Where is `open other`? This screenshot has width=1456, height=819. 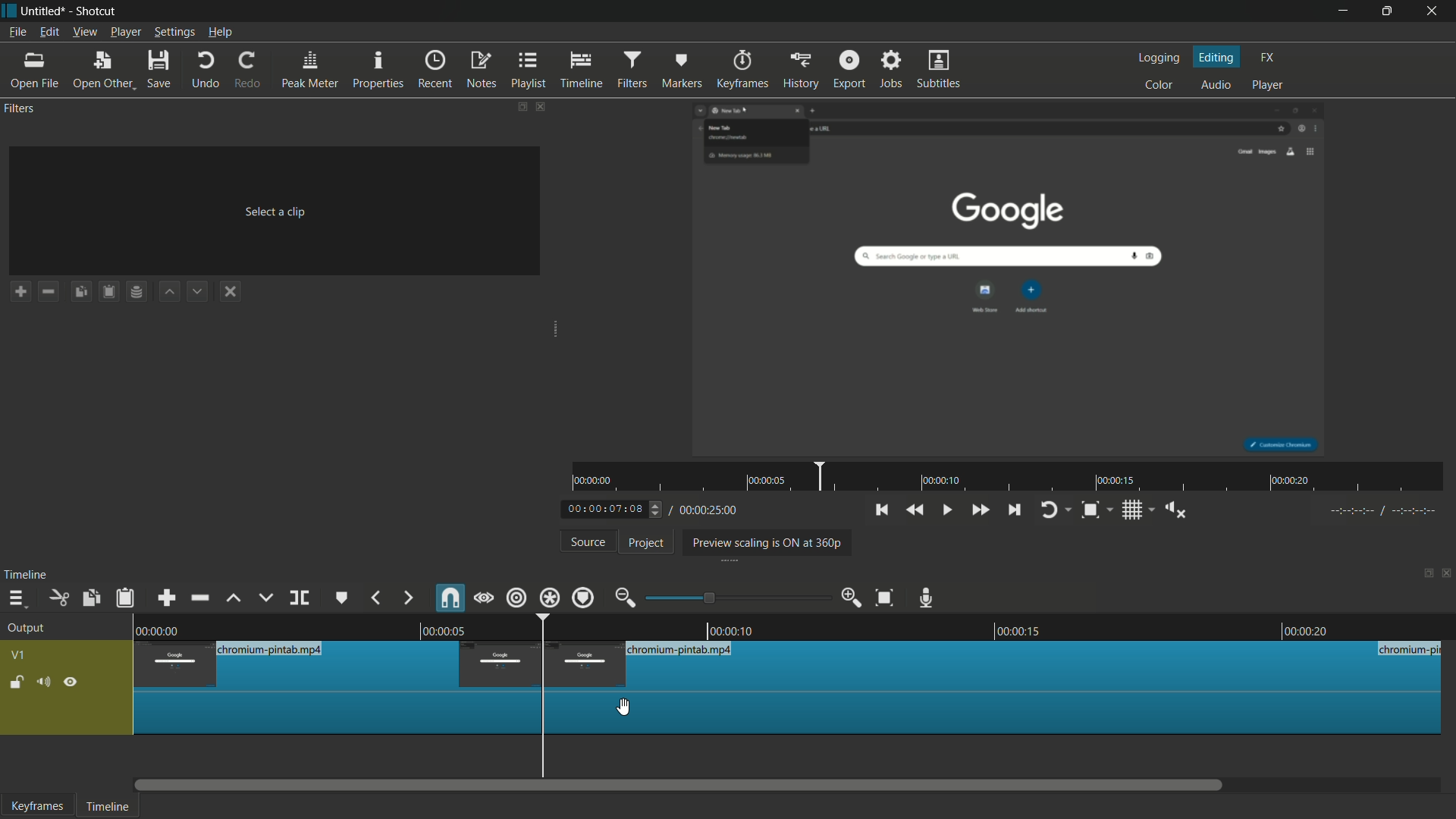
open other is located at coordinates (101, 70).